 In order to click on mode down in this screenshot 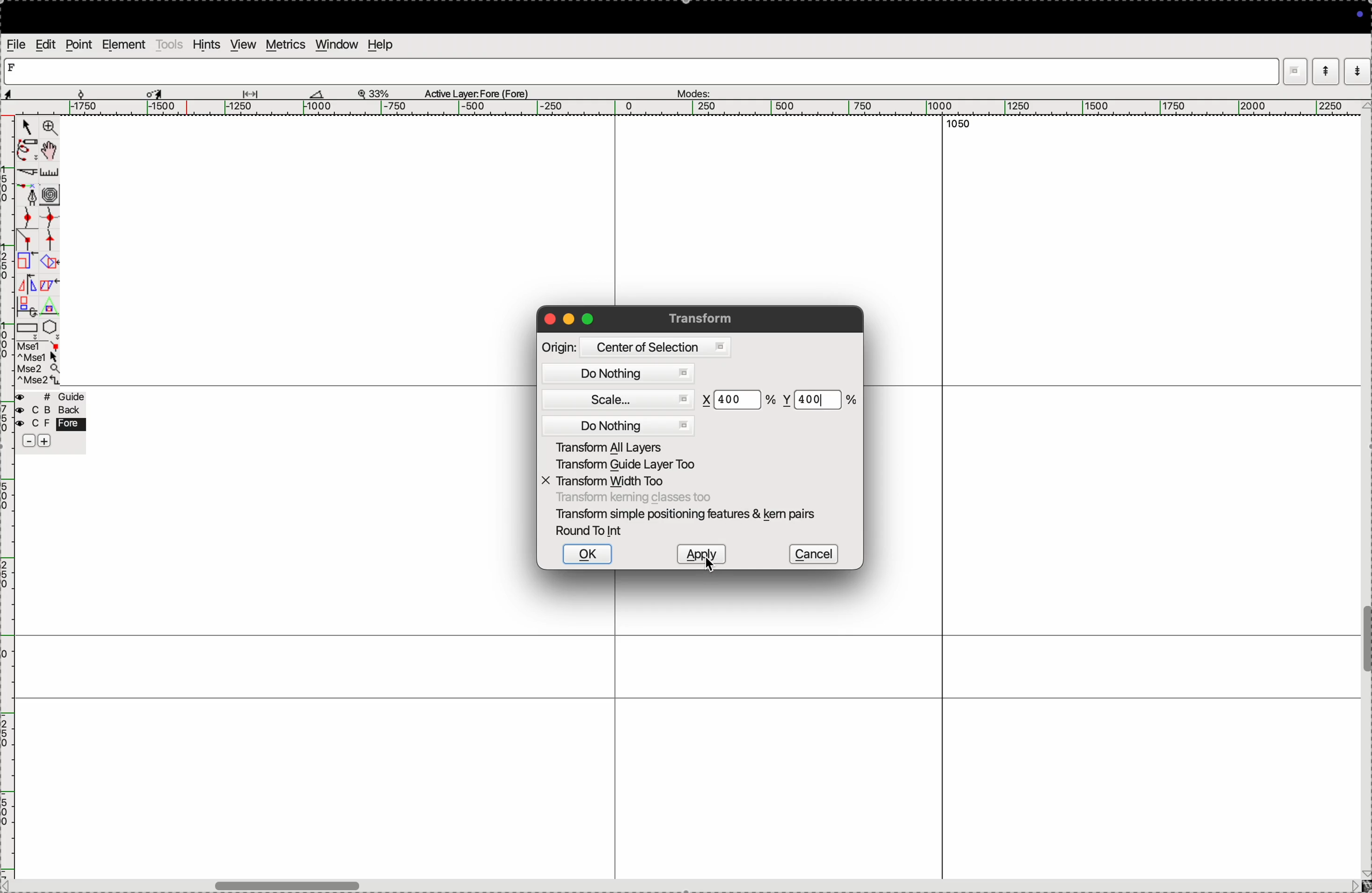, I will do `click(1358, 70)`.